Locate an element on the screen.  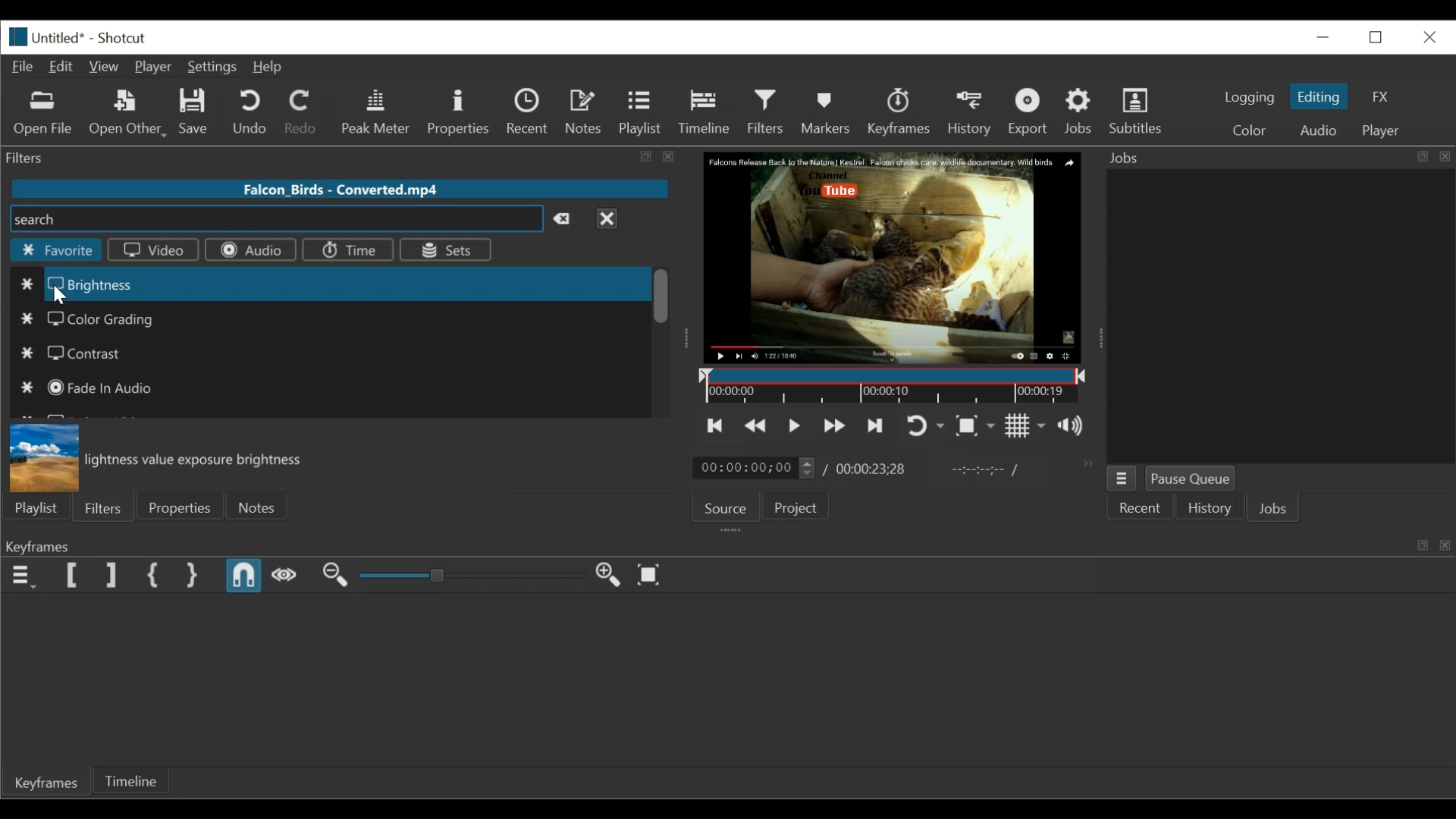
Zoom keyframe out  is located at coordinates (610, 576).